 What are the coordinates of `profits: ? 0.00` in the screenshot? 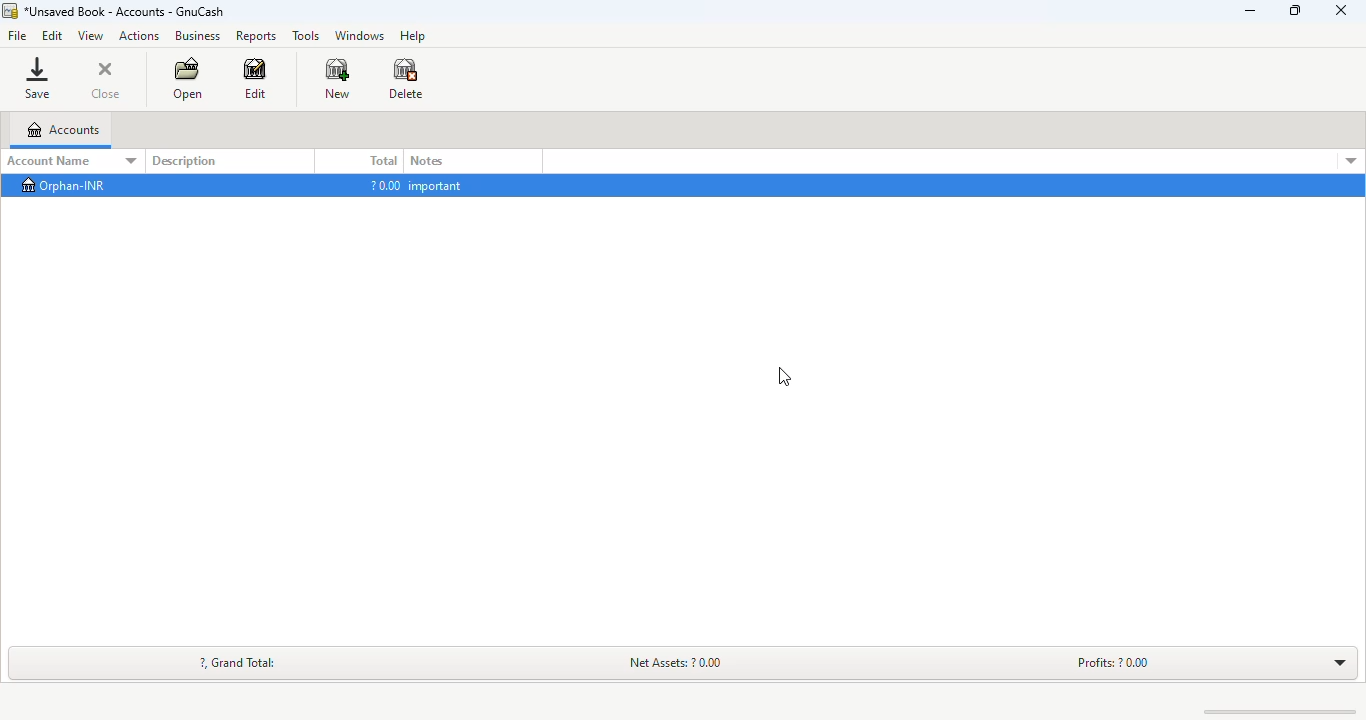 It's located at (1113, 662).